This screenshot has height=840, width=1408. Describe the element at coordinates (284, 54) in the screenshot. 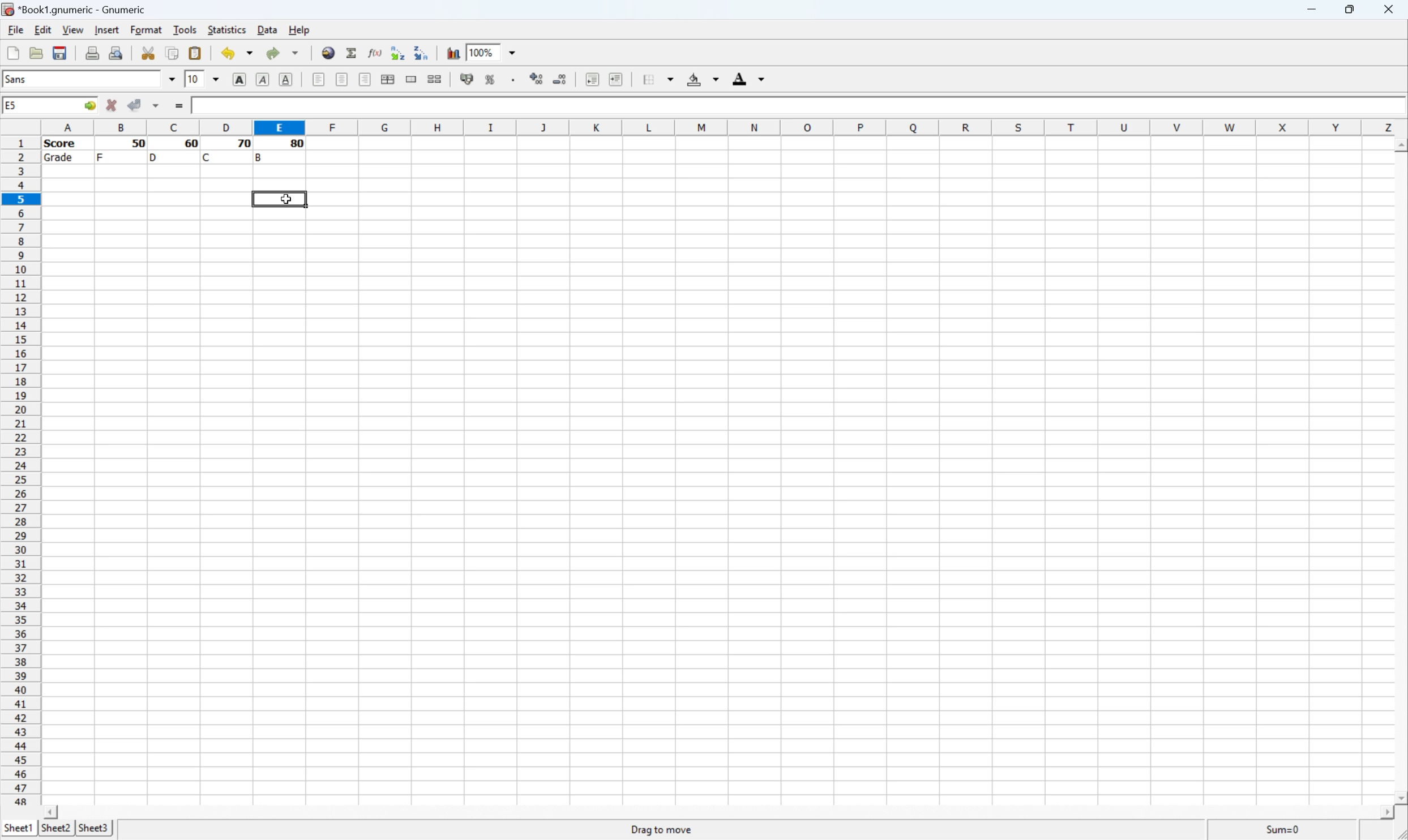

I see `Redo` at that location.